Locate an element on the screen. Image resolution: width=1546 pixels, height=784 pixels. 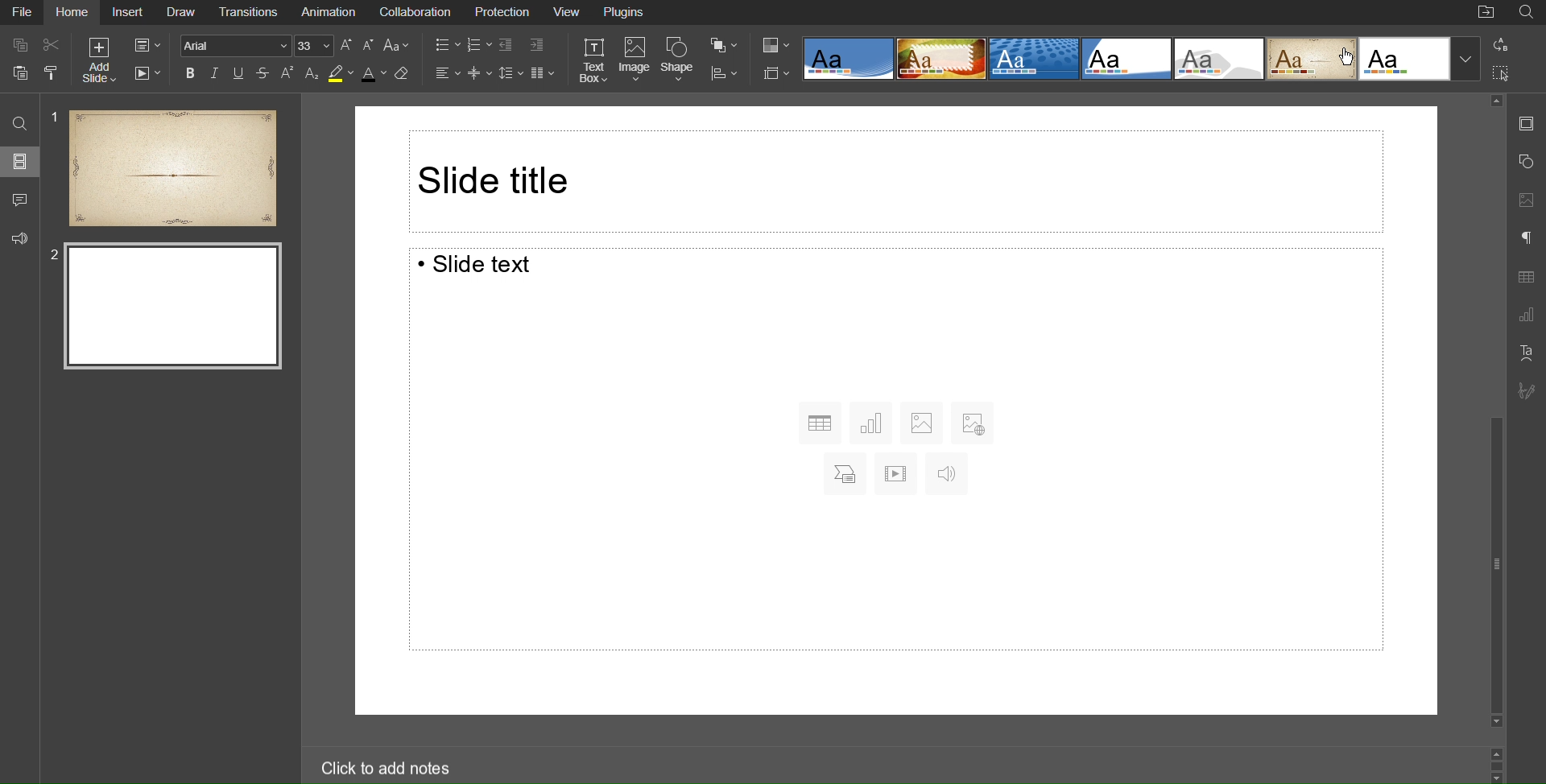
Italic is located at coordinates (216, 73).